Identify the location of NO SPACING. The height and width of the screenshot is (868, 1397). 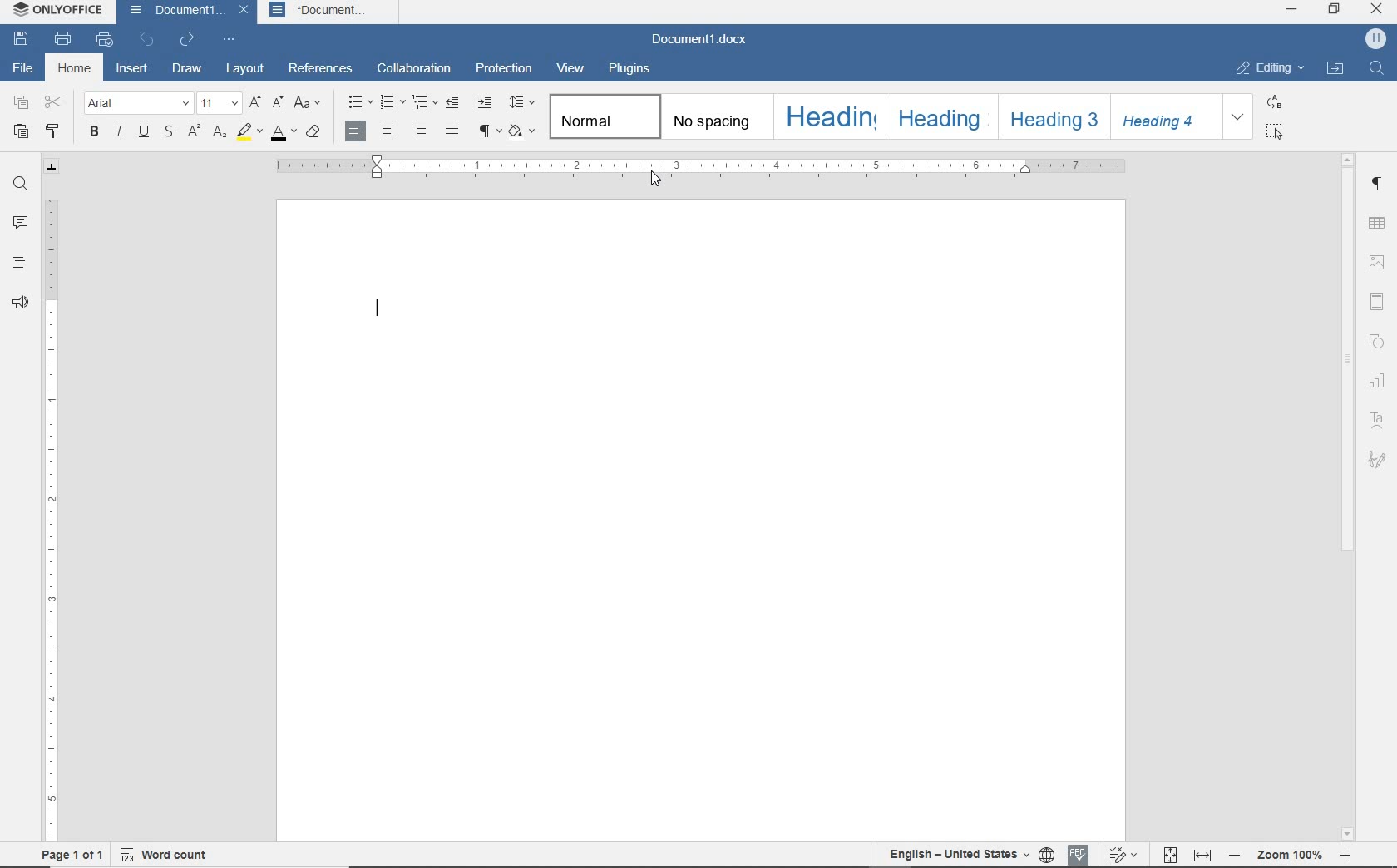
(714, 117).